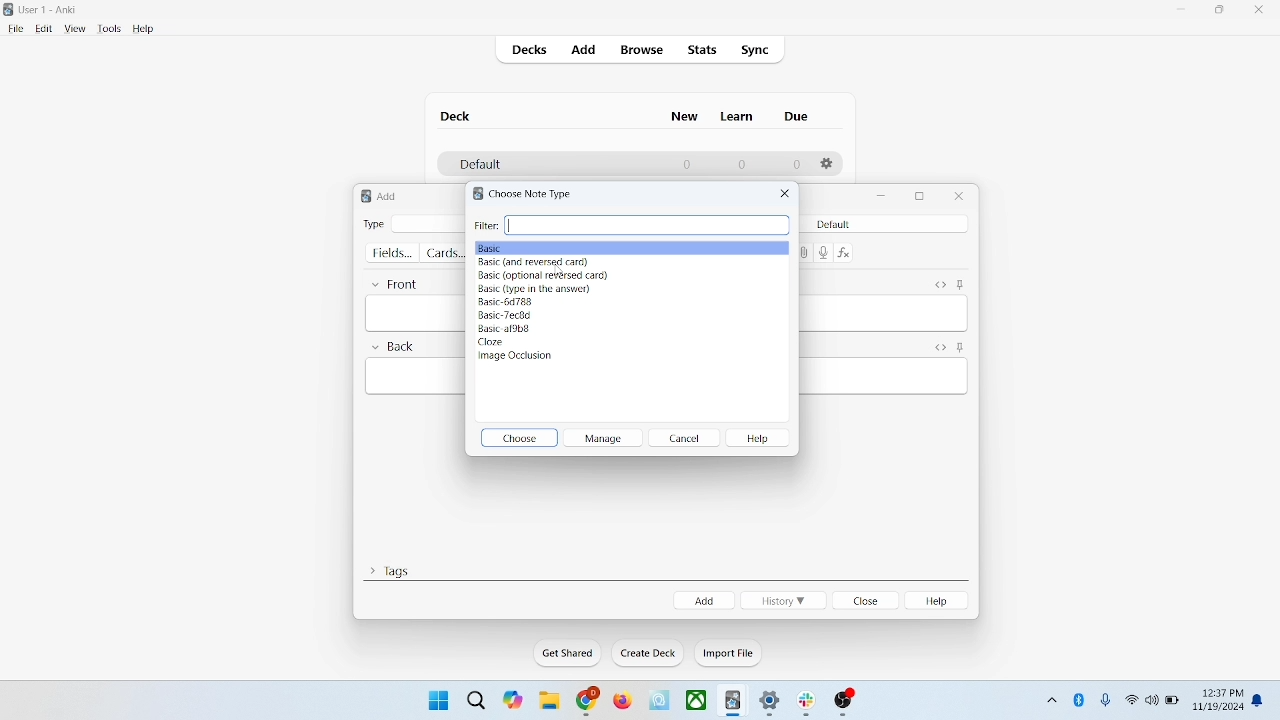  Describe the element at coordinates (75, 29) in the screenshot. I see `view` at that location.